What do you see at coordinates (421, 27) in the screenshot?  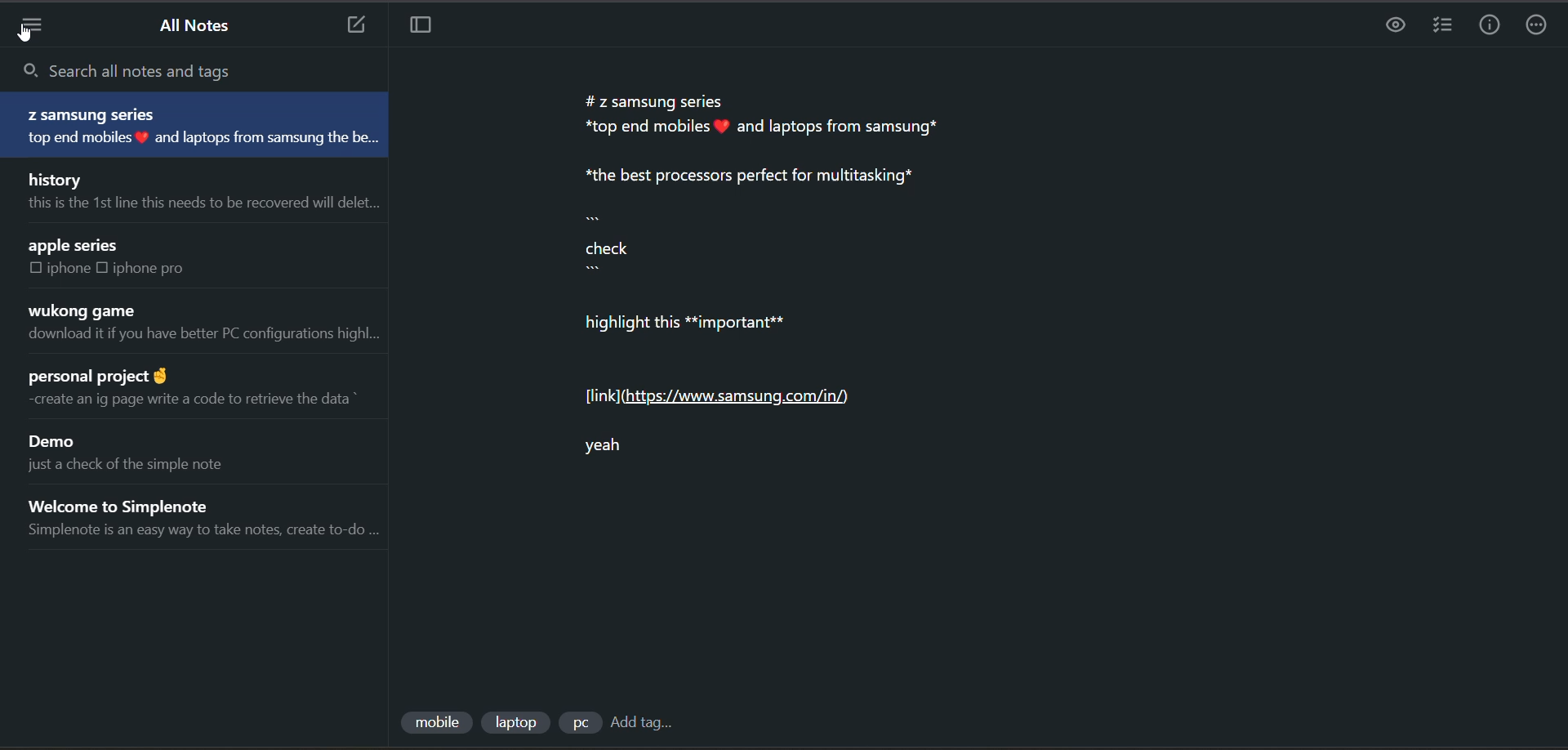 I see `toggle focus mode` at bounding box center [421, 27].